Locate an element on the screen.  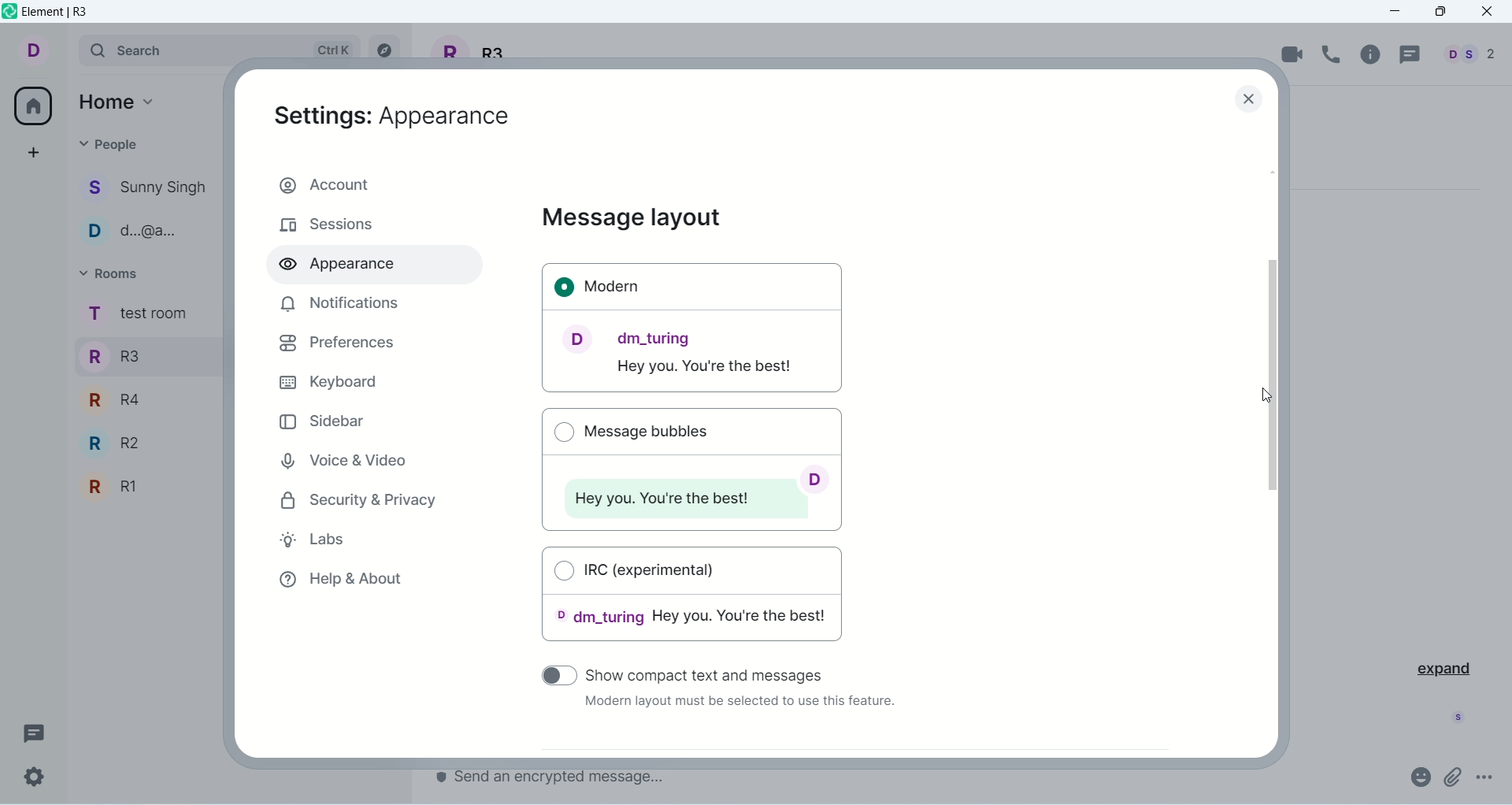
keyboard is located at coordinates (327, 380).